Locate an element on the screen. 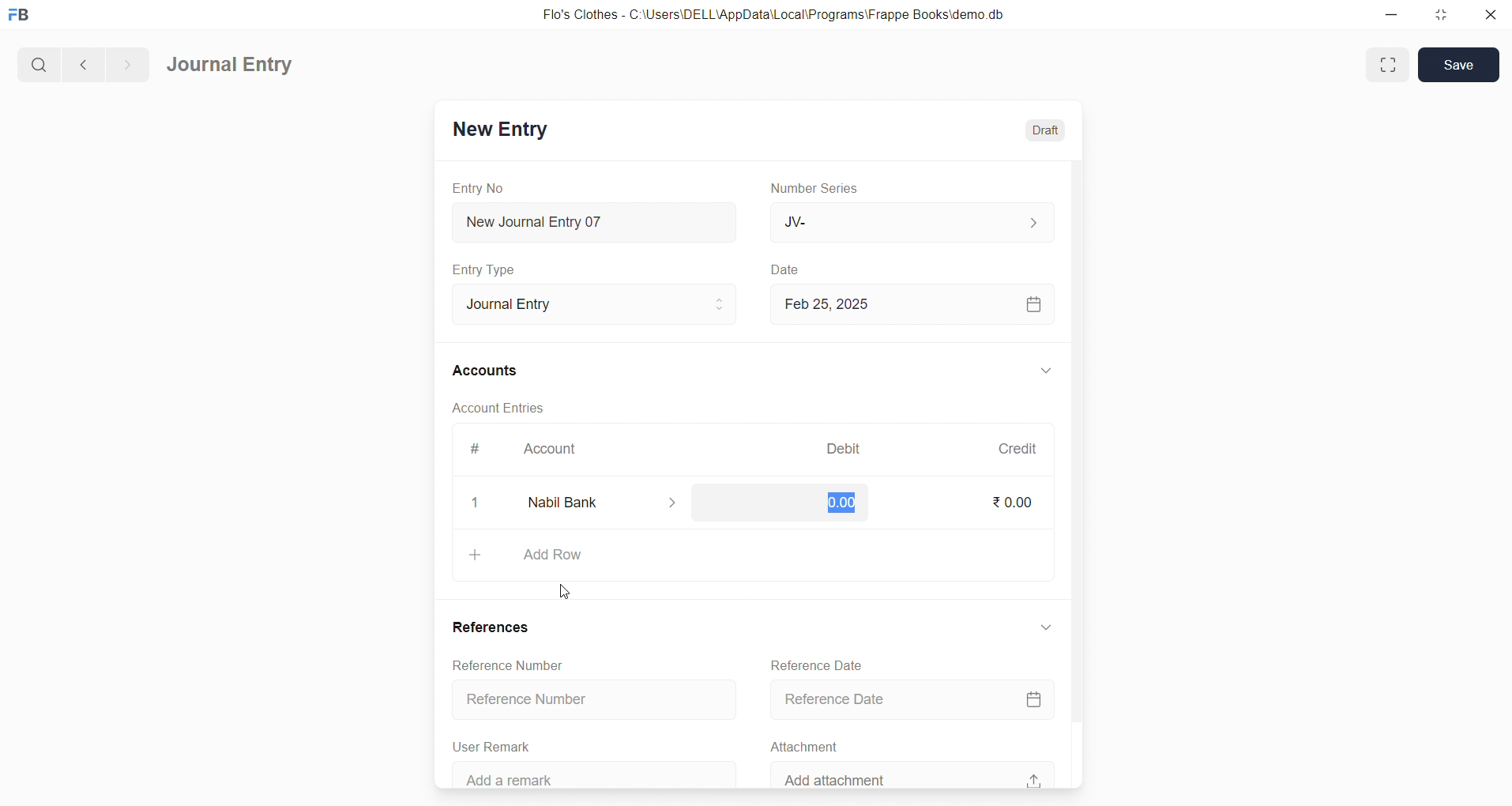 The height and width of the screenshot is (806, 1512). minimize is located at coordinates (1390, 16).